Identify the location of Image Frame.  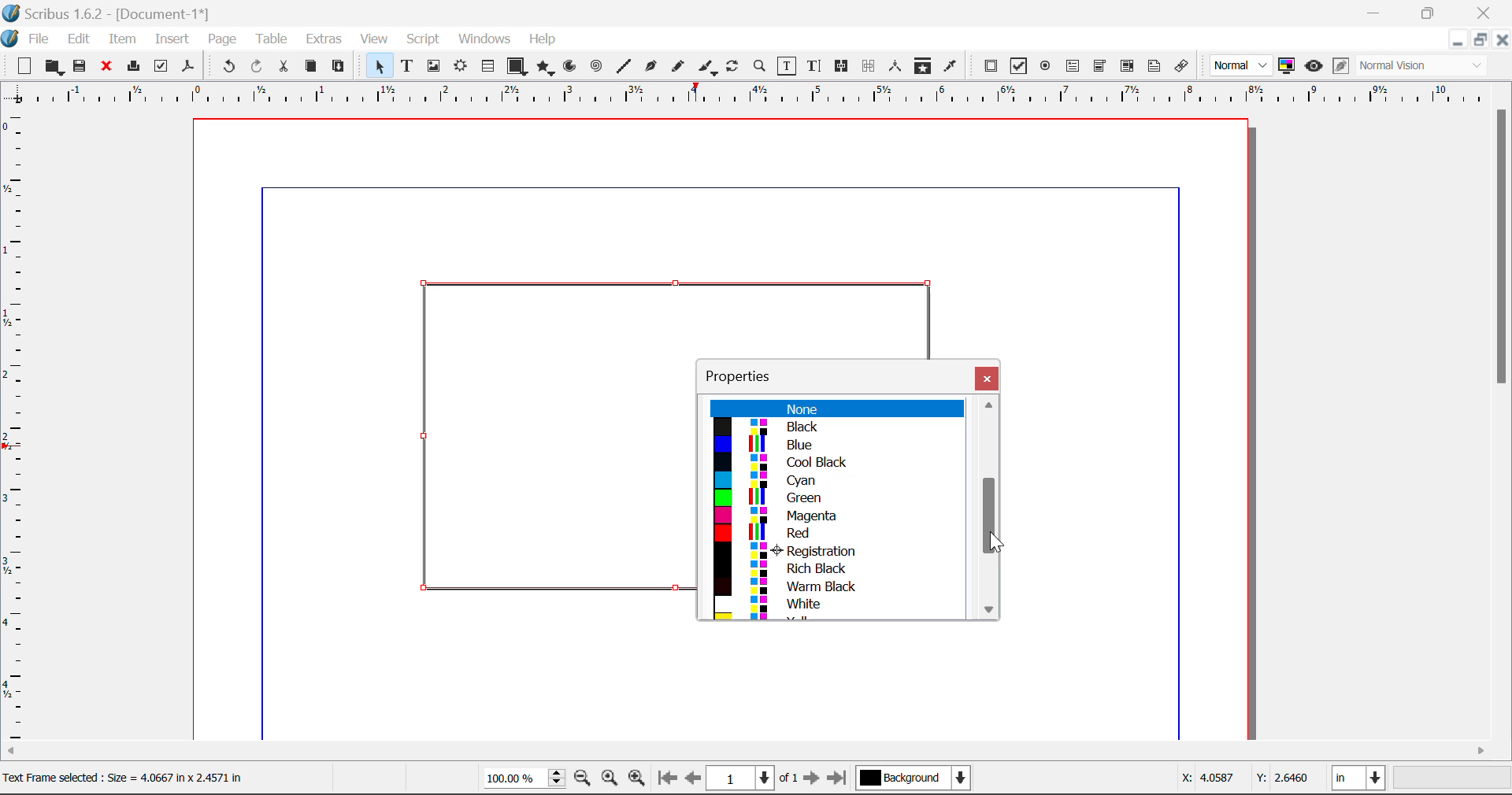
(433, 66).